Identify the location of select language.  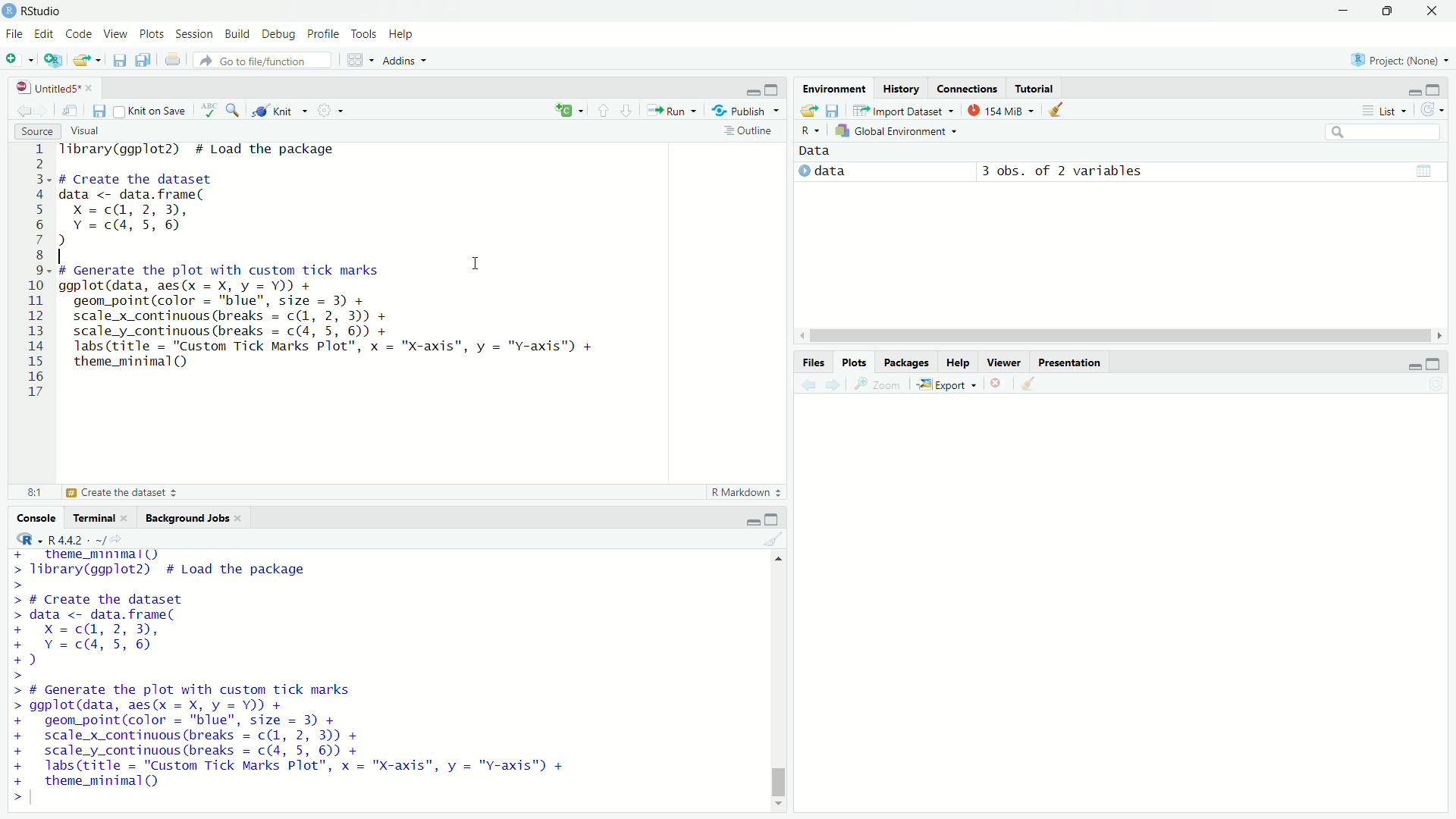
(805, 131).